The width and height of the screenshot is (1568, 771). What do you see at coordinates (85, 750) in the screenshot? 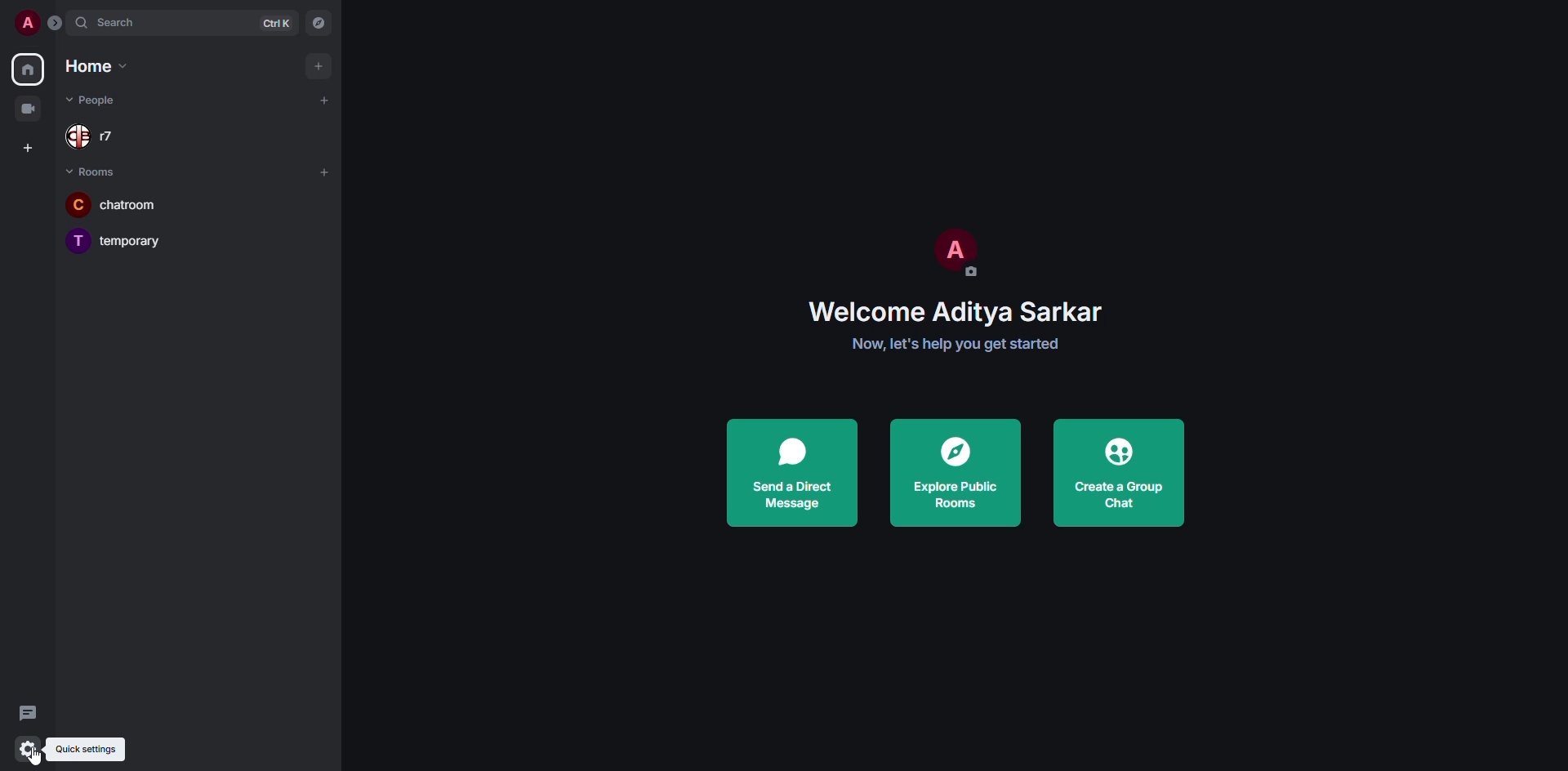
I see `quick settings` at bounding box center [85, 750].